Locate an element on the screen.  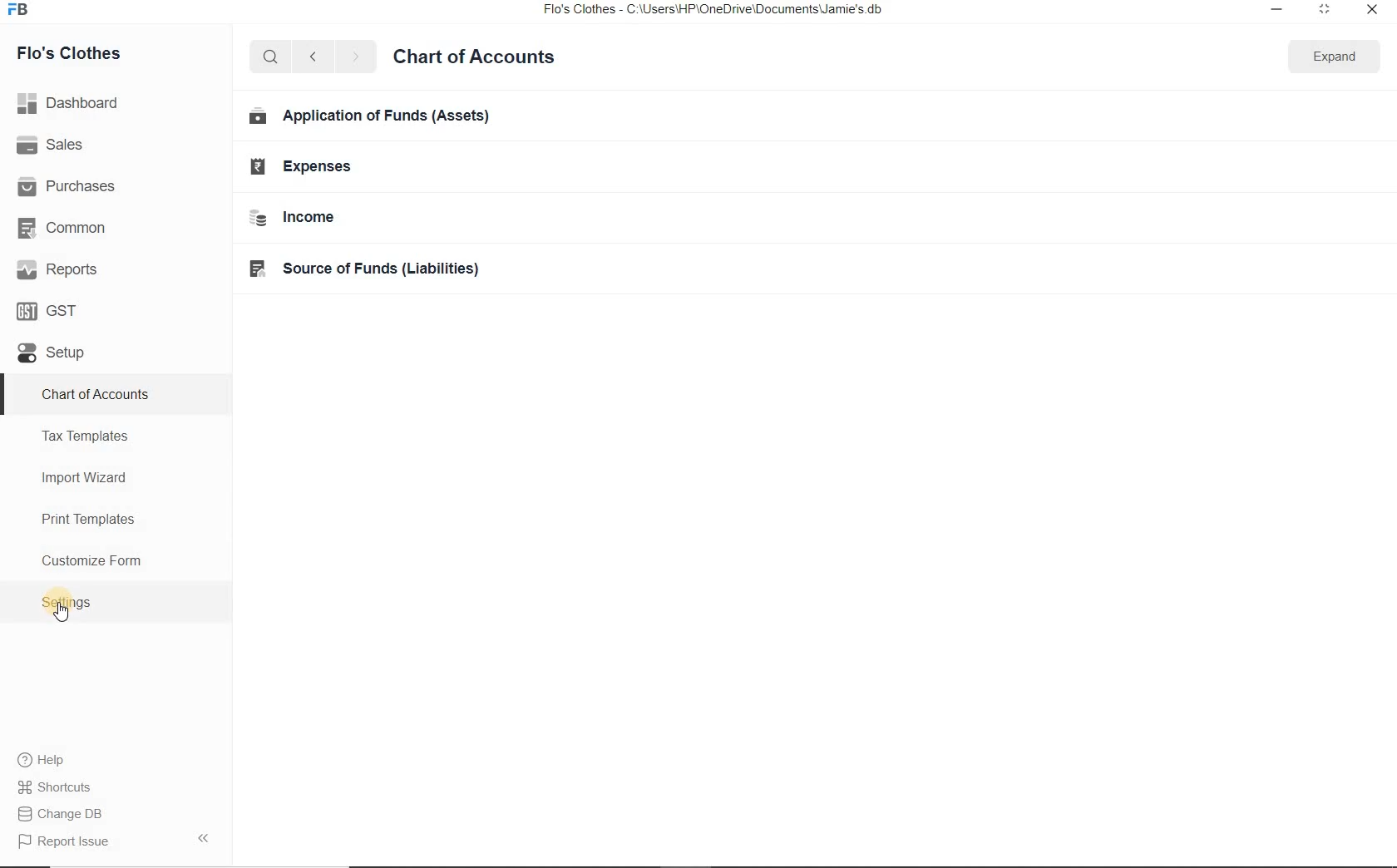
expand is located at coordinates (1342, 57).